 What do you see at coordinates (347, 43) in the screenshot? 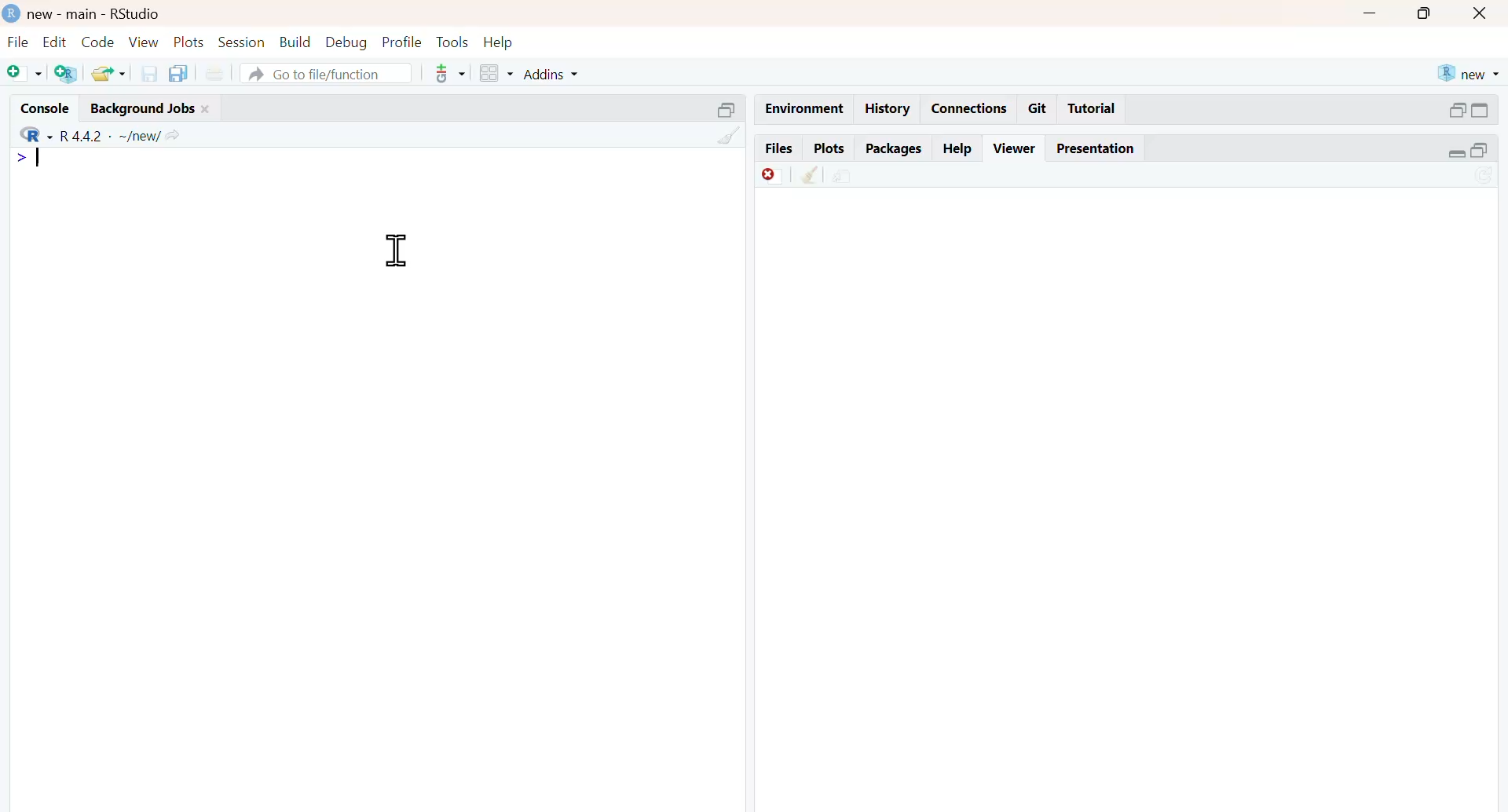
I see `debug` at bounding box center [347, 43].